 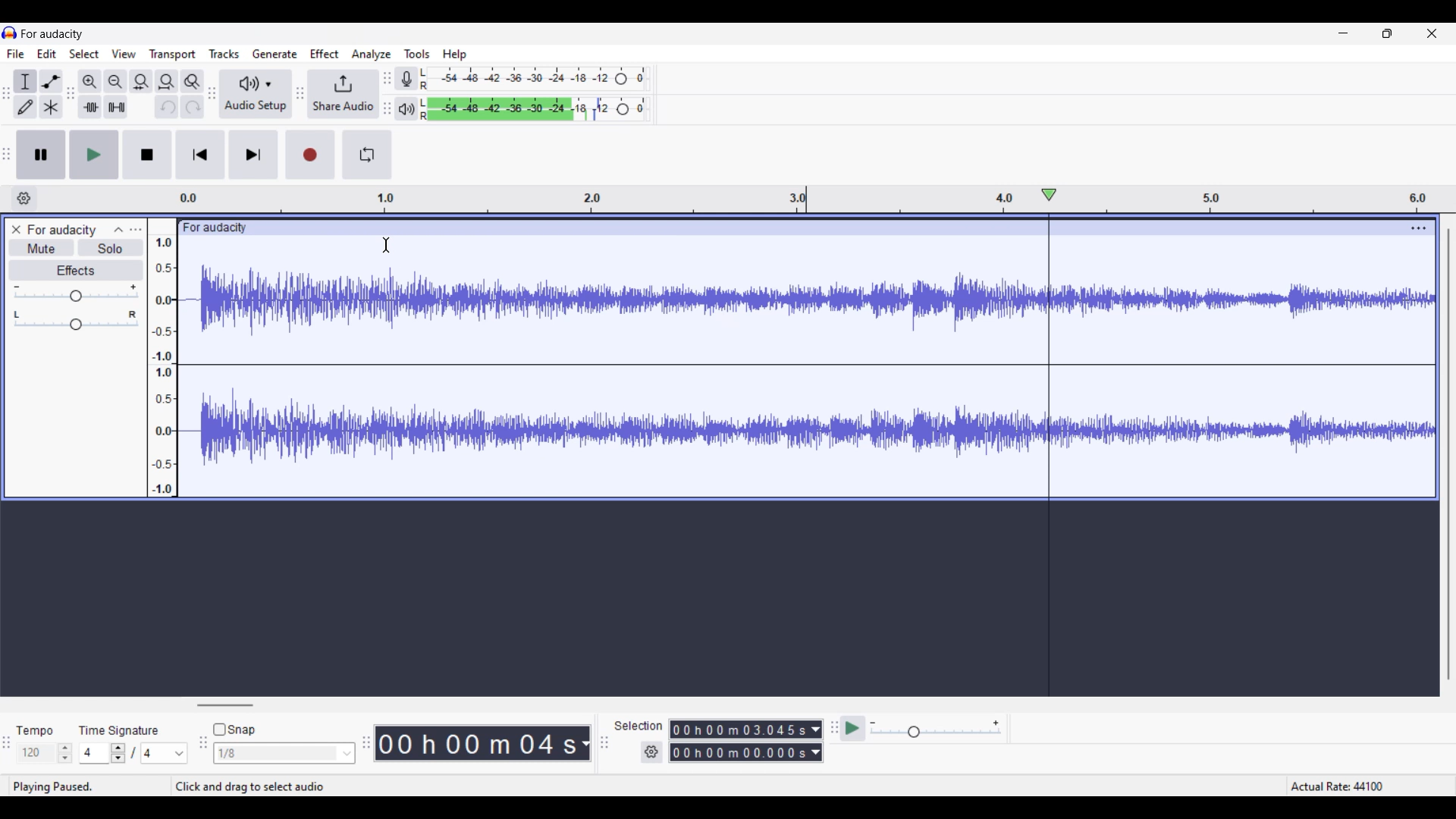 What do you see at coordinates (535, 79) in the screenshot?
I see `Recording level` at bounding box center [535, 79].